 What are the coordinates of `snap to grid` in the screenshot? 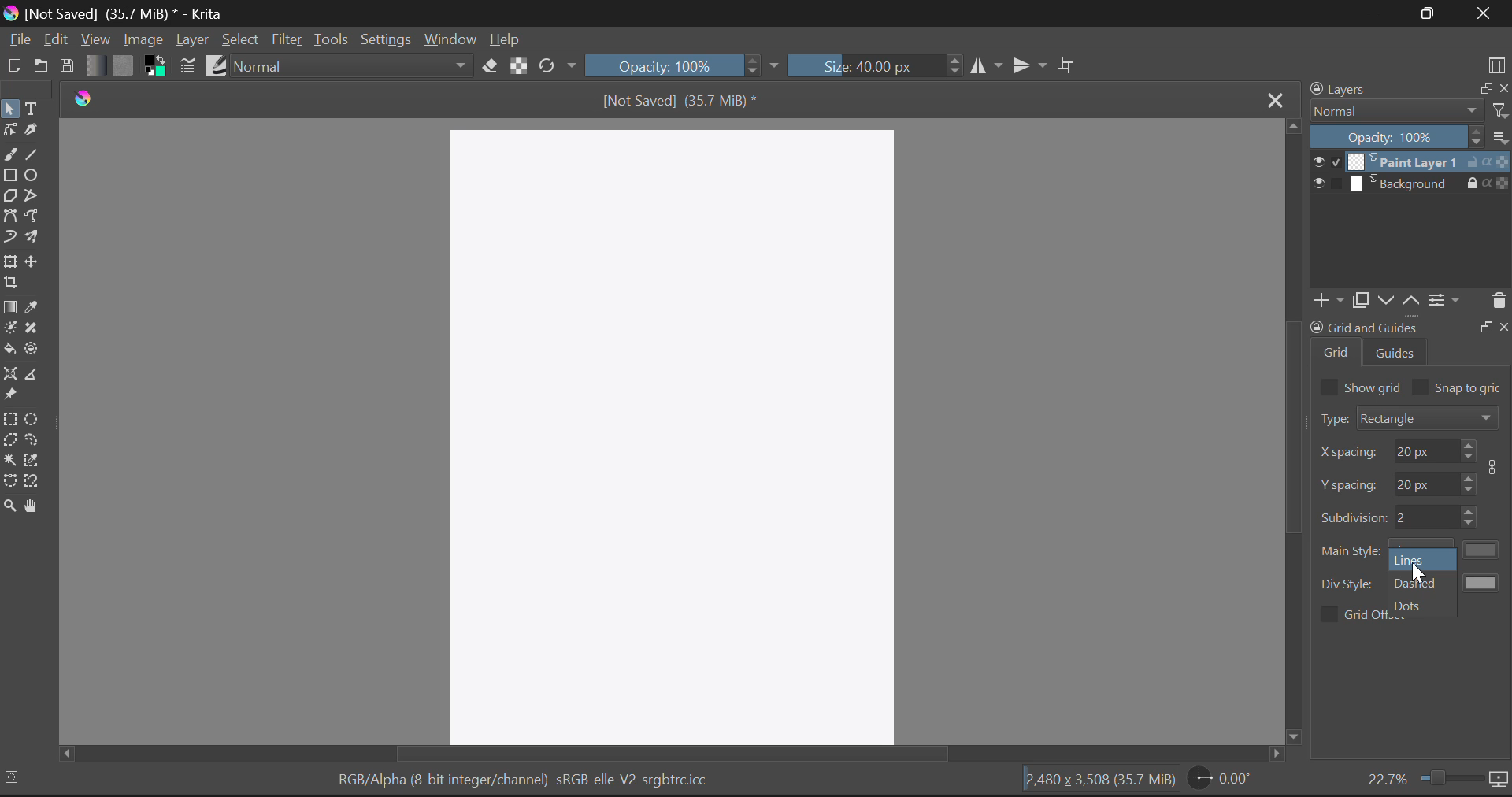 It's located at (1469, 389).